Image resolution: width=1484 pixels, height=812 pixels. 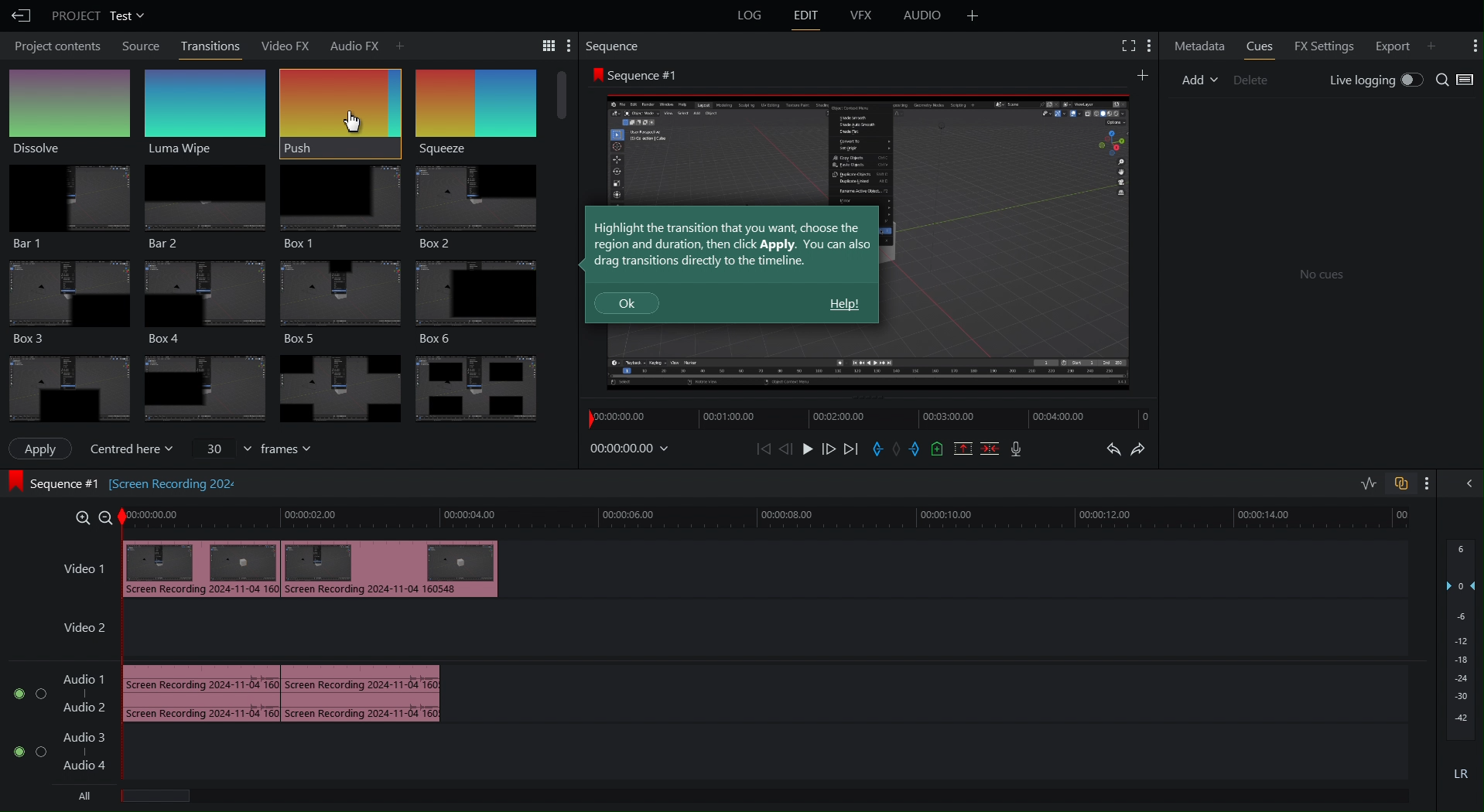 What do you see at coordinates (19, 15) in the screenshot?
I see `Back` at bounding box center [19, 15].